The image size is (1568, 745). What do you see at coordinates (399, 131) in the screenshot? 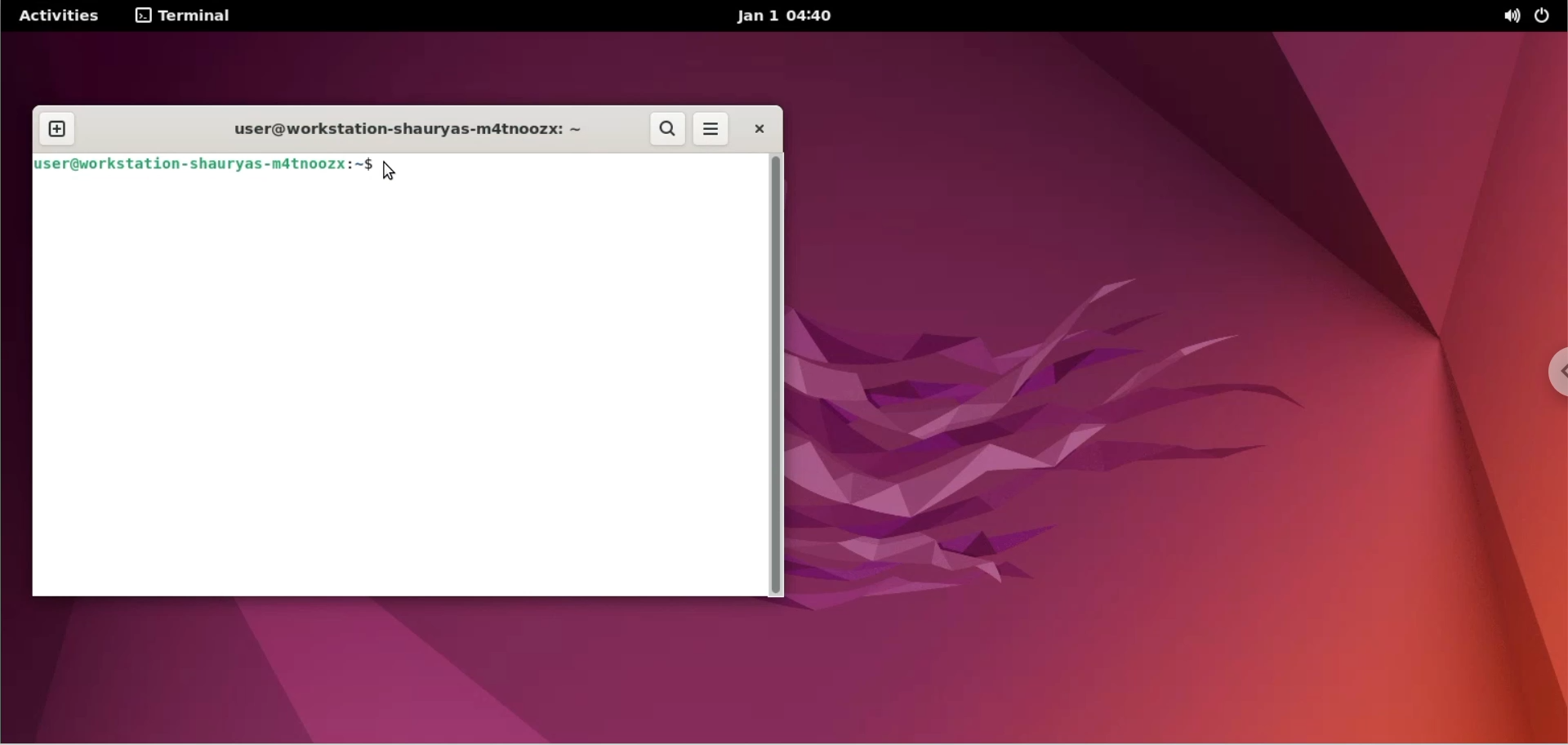
I see `user@workstation-shauryas-m4tnoozx: ~` at bounding box center [399, 131].